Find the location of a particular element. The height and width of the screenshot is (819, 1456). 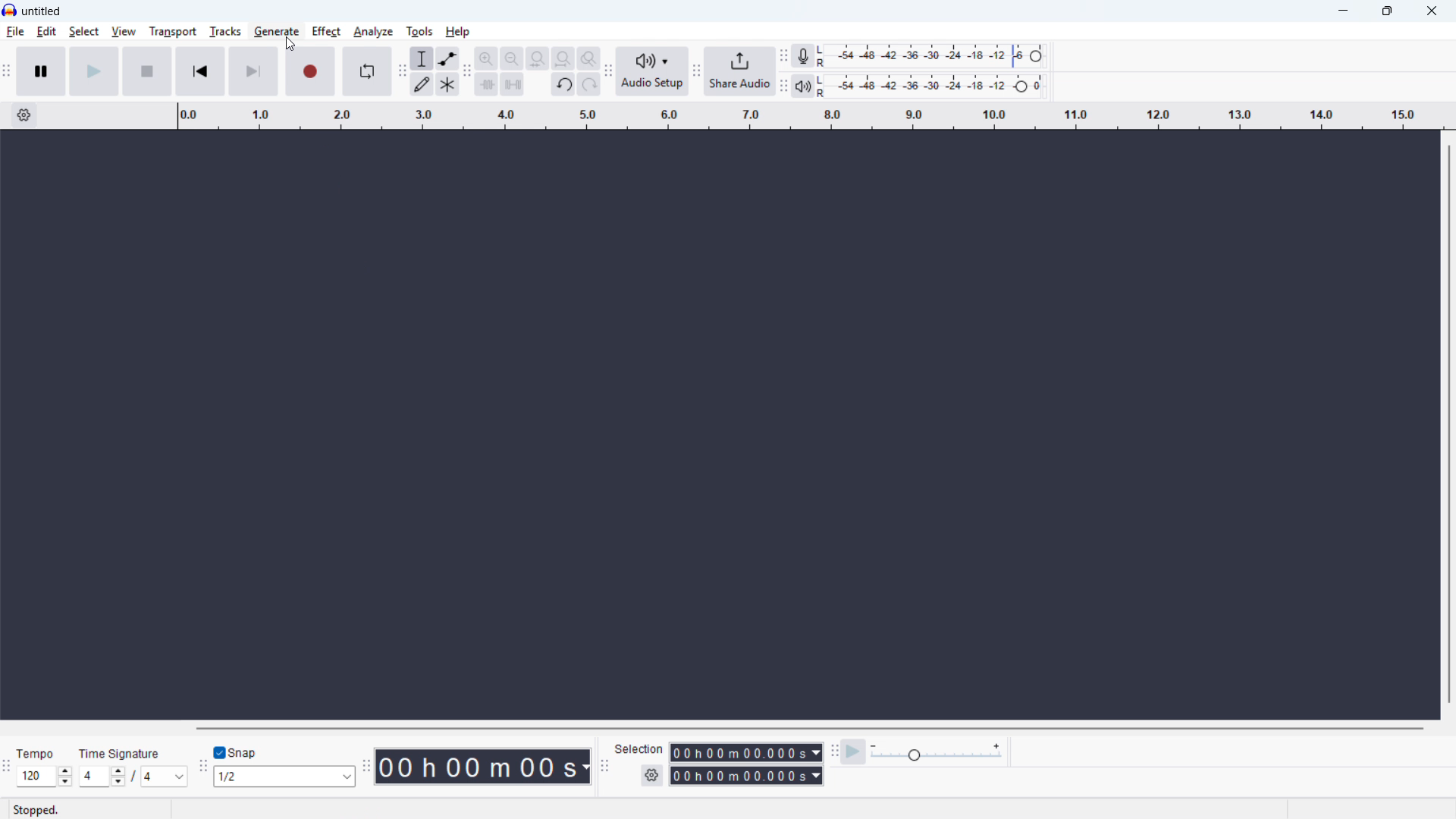

Play at speed toolbar  is located at coordinates (835, 750).